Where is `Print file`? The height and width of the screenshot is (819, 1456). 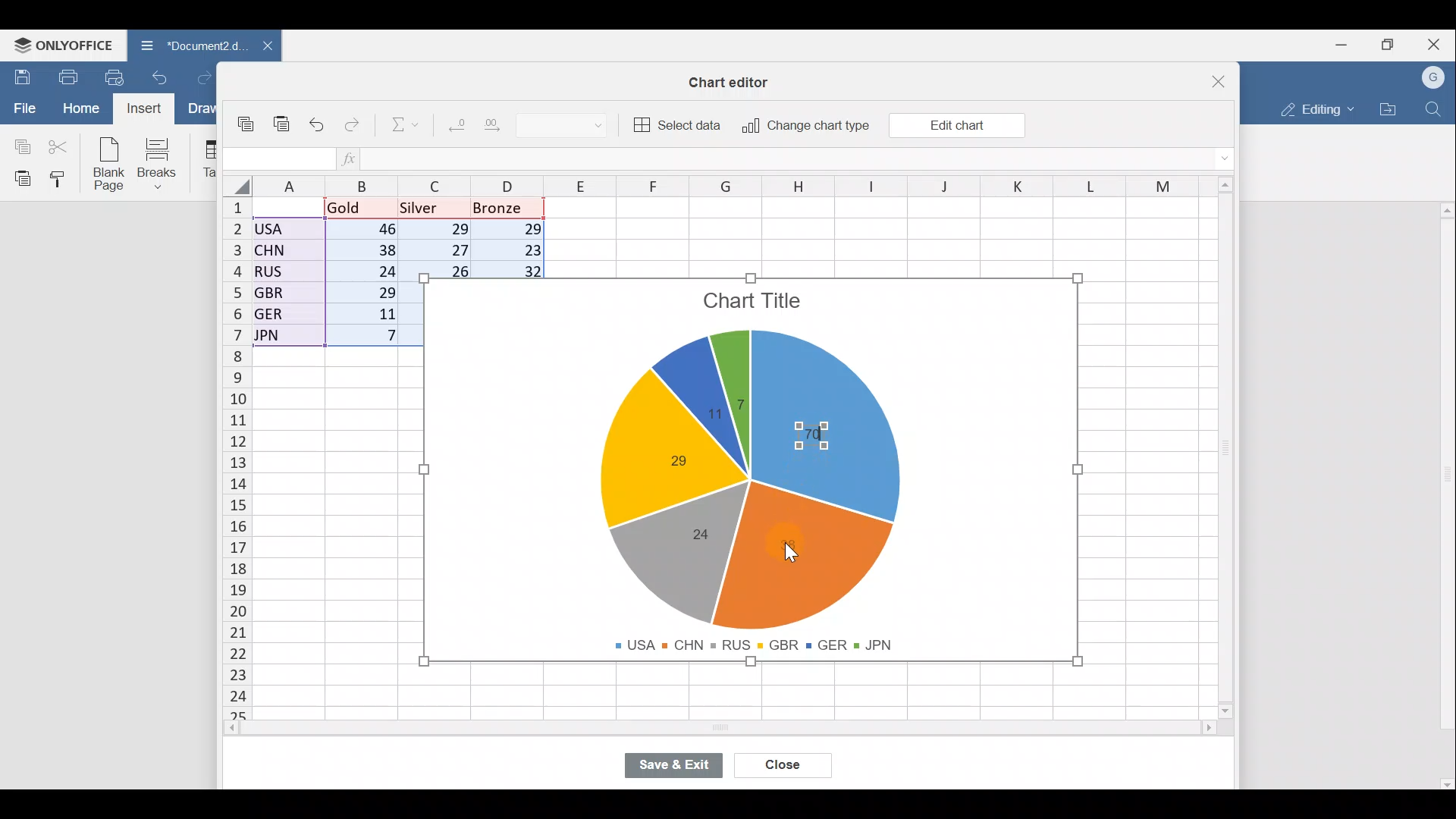 Print file is located at coordinates (67, 76).